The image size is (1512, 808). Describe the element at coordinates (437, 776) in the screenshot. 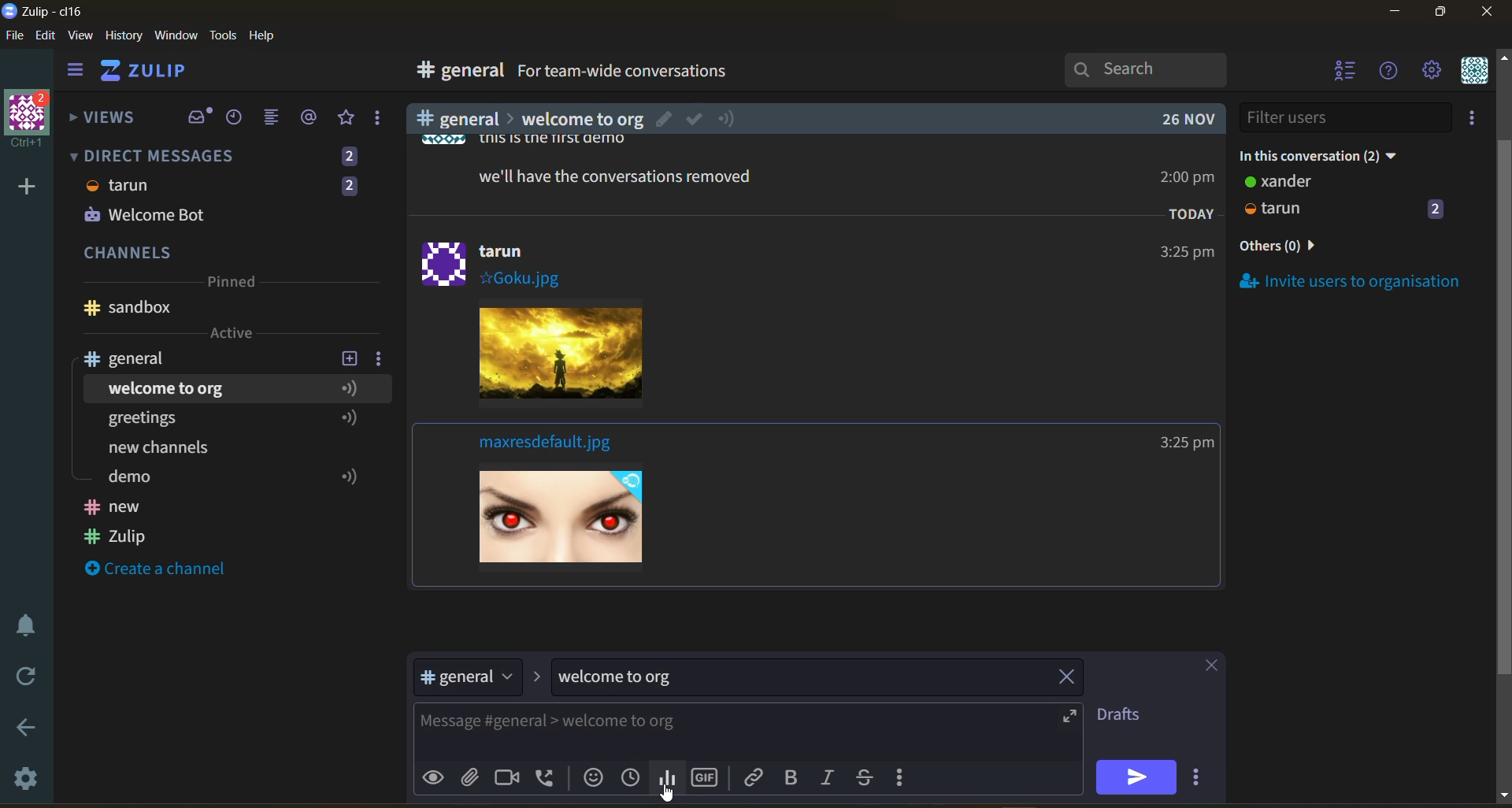

I see `preview` at that location.